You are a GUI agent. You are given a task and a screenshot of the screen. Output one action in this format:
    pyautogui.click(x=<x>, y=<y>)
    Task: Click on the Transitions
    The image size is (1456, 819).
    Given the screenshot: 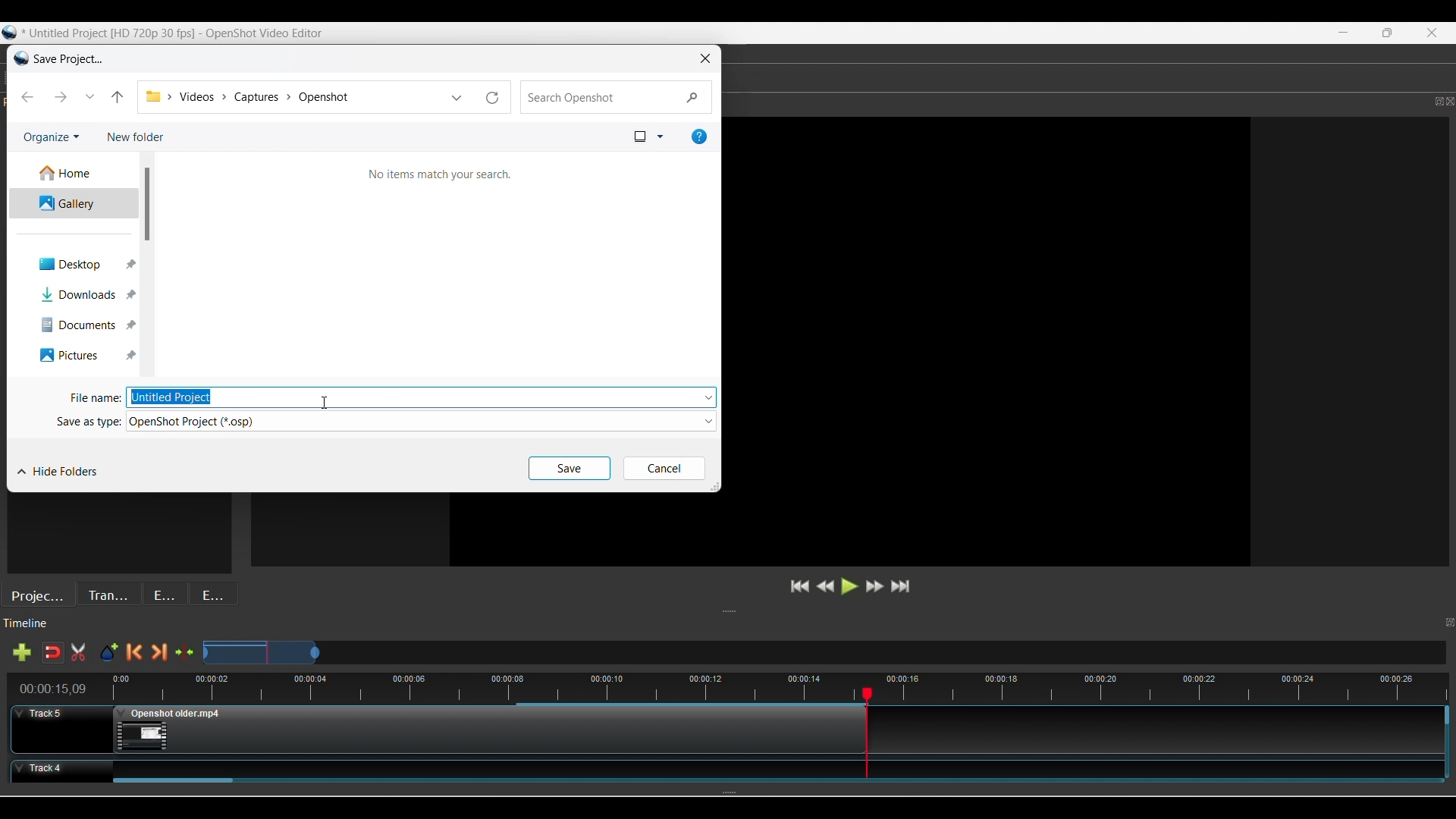 What is the action you would take?
    pyautogui.click(x=108, y=594)
    